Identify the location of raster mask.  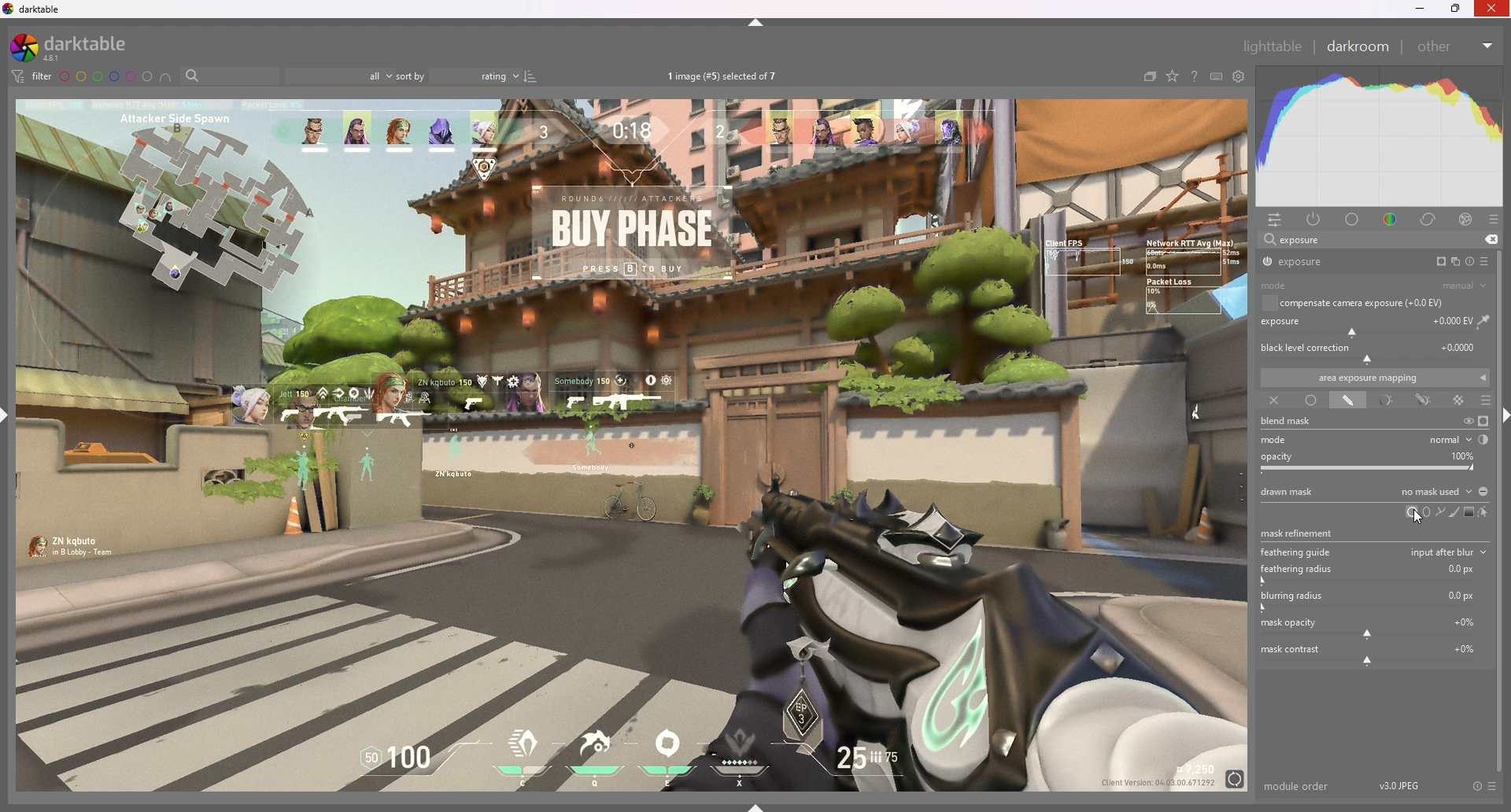
(1459, 400).